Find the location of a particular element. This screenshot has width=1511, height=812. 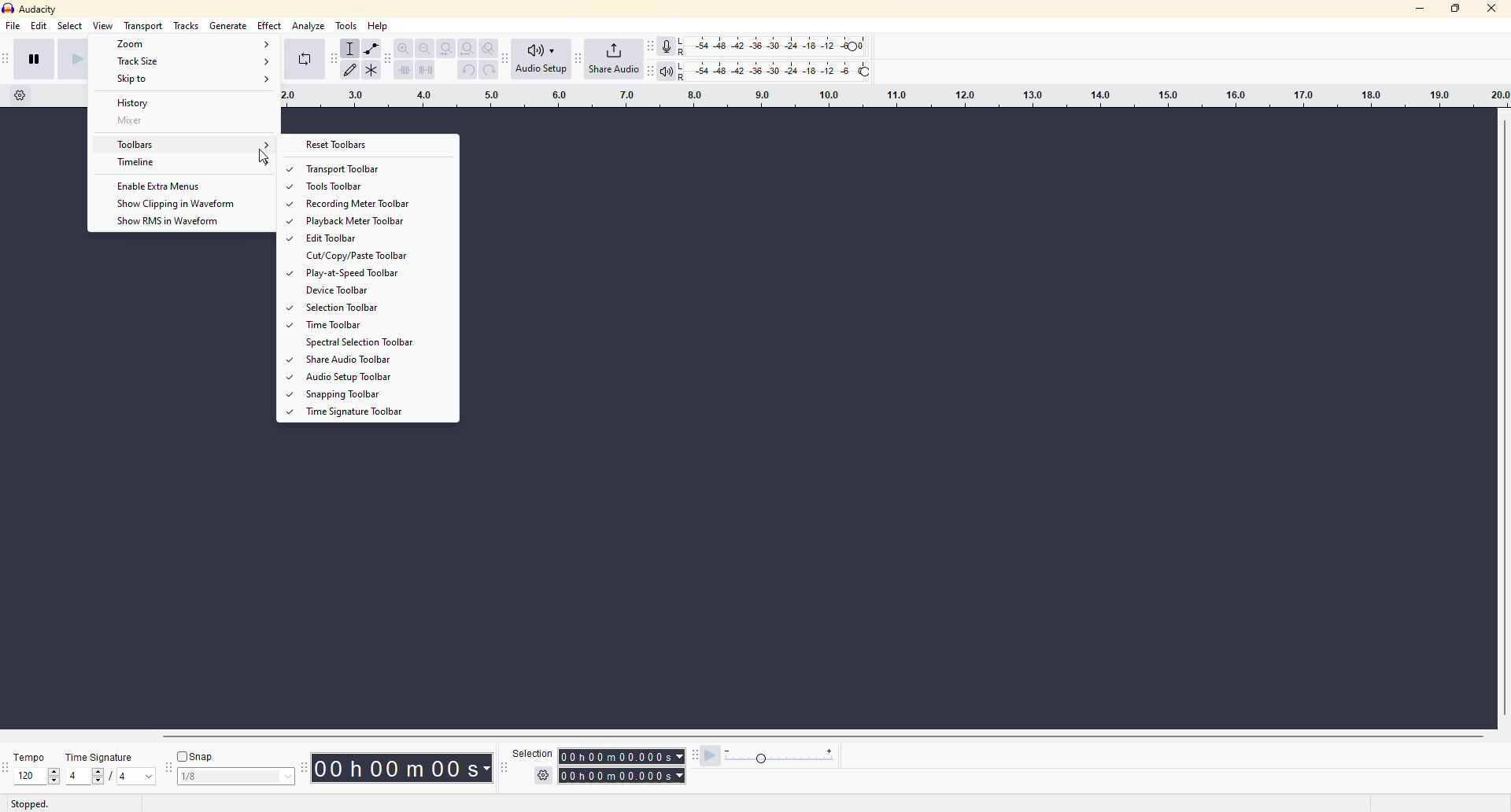

envelope tool is located at coordinates (373, 49).